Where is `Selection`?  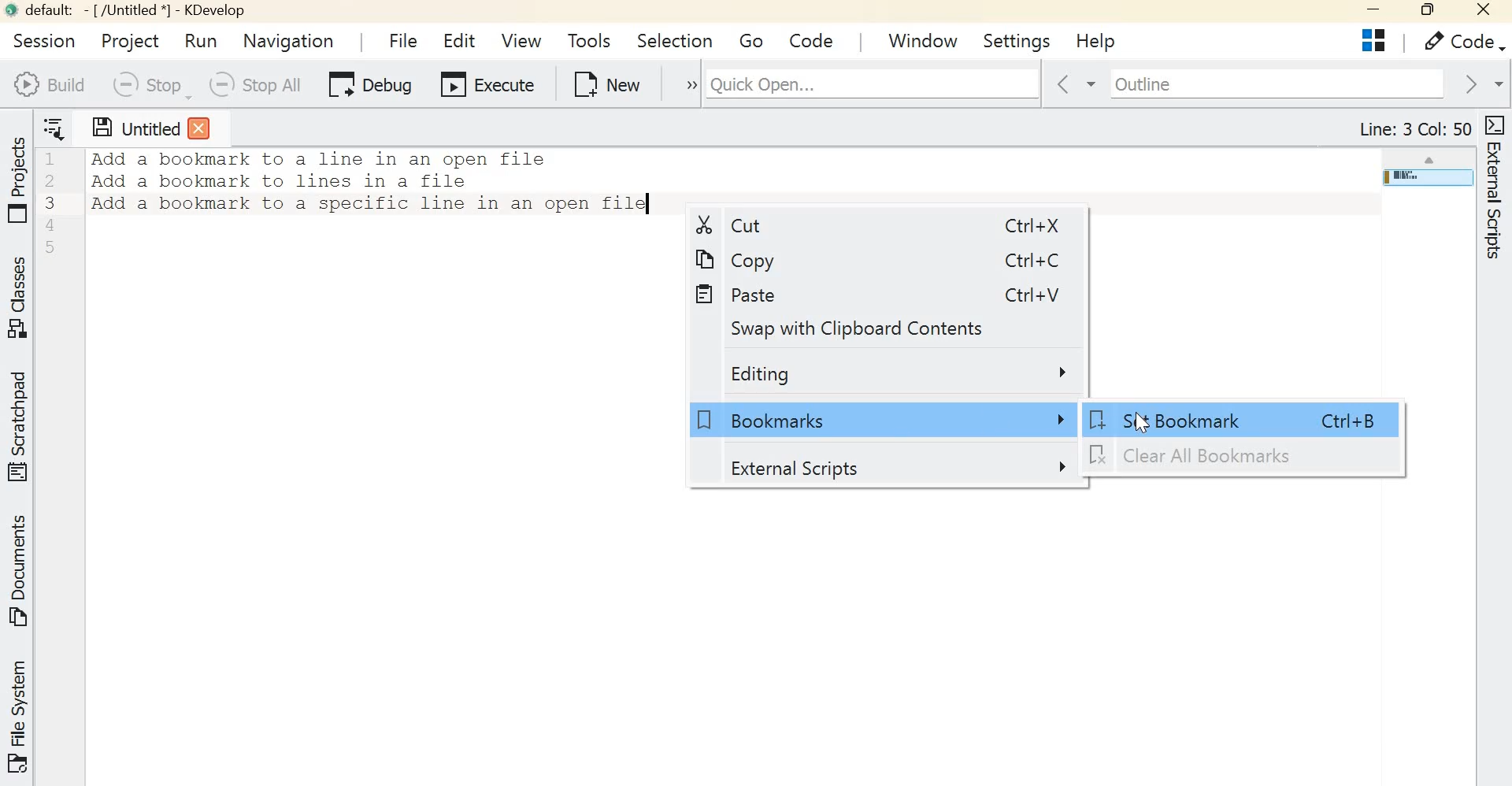
Selection is located at coordinates (675, 39).